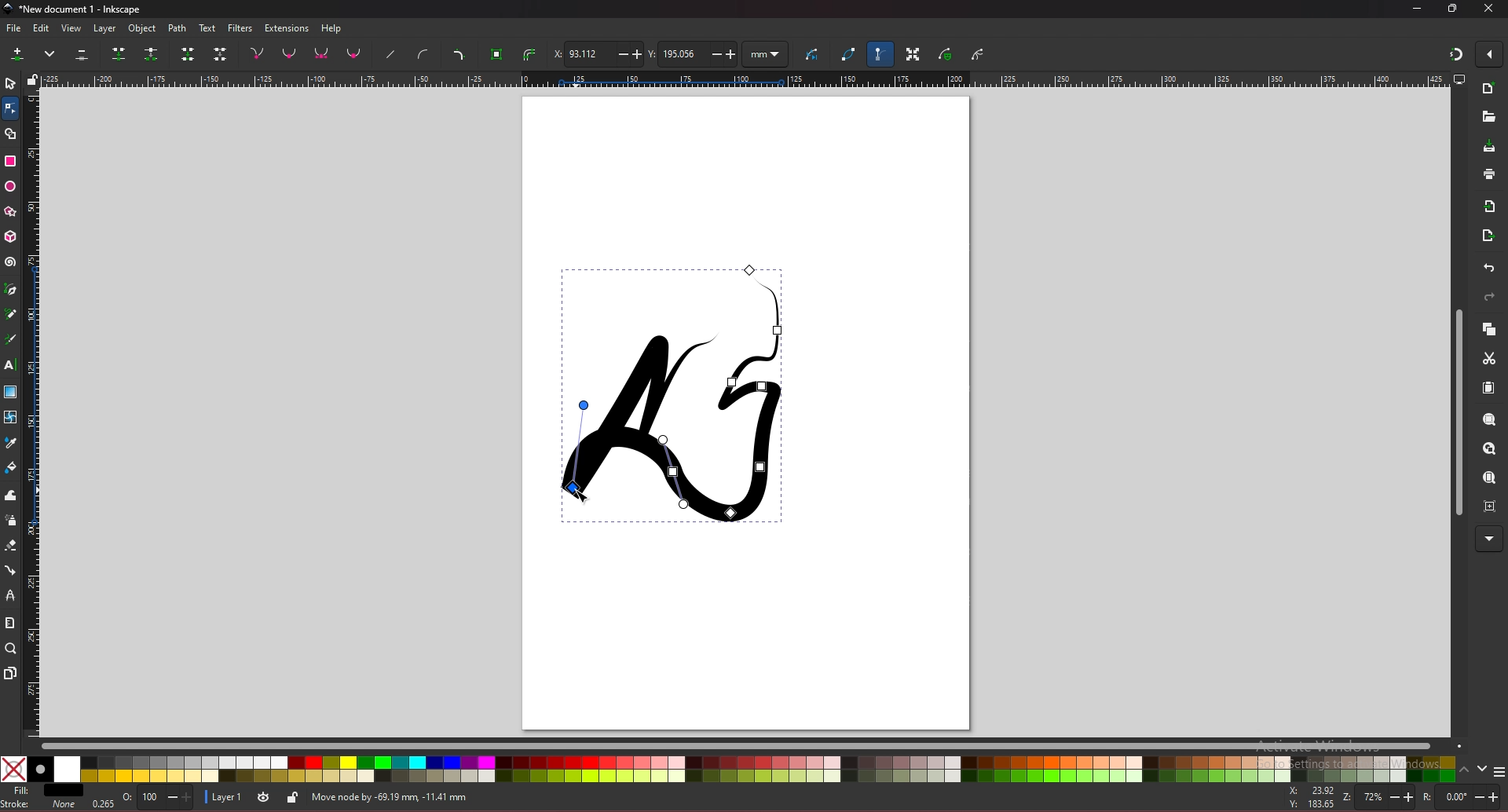  I want to click on y coordinate, so click(693, 54).